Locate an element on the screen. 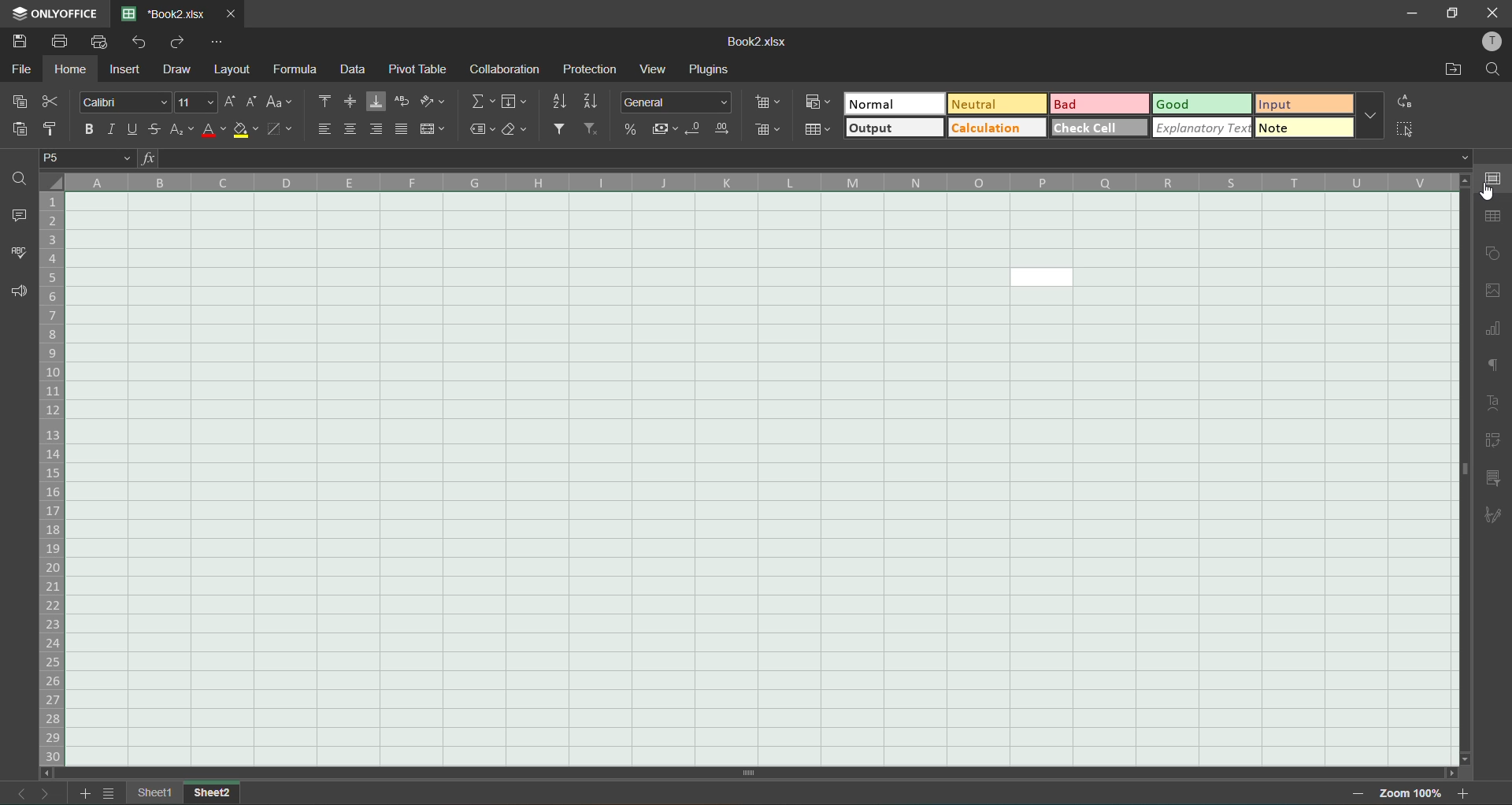  cells is located at coordinates (758, 477).